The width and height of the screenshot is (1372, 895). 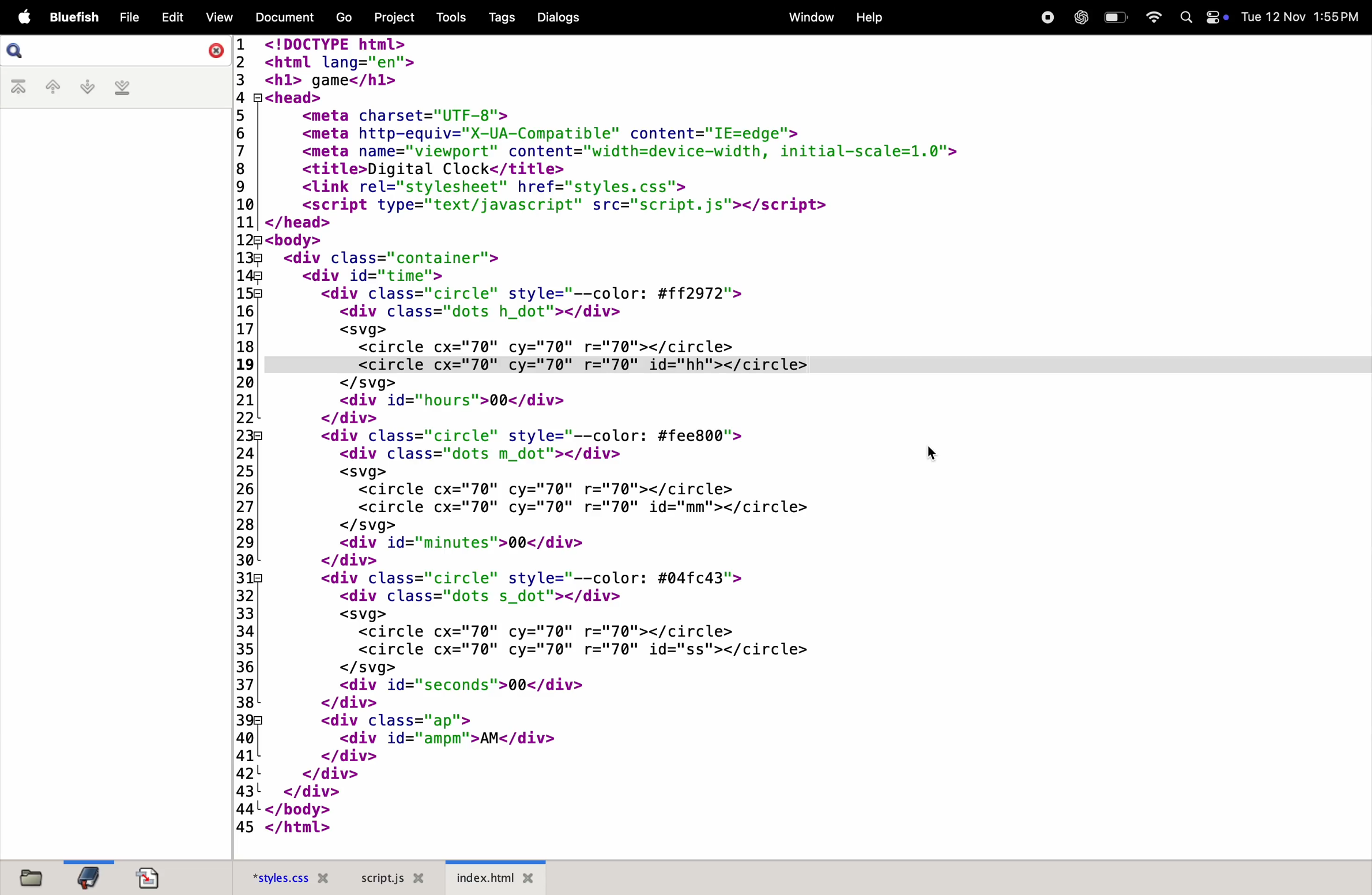 What do you see at coordinates (214, 49) in the screenshot?
I see `close` at bounding box center [214, 49].